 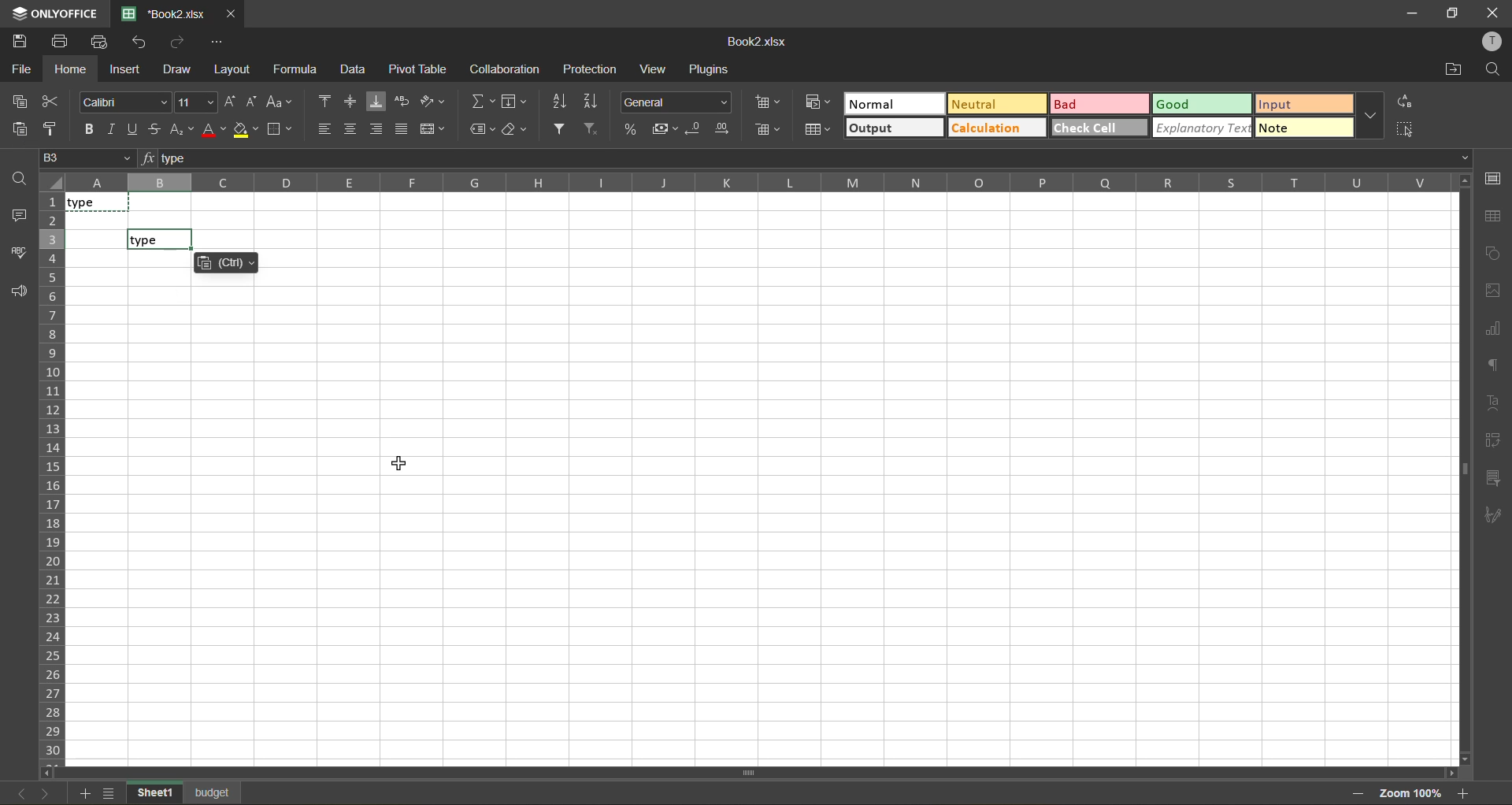 I want to click on conditional formatting, so click(x=818, y=102).